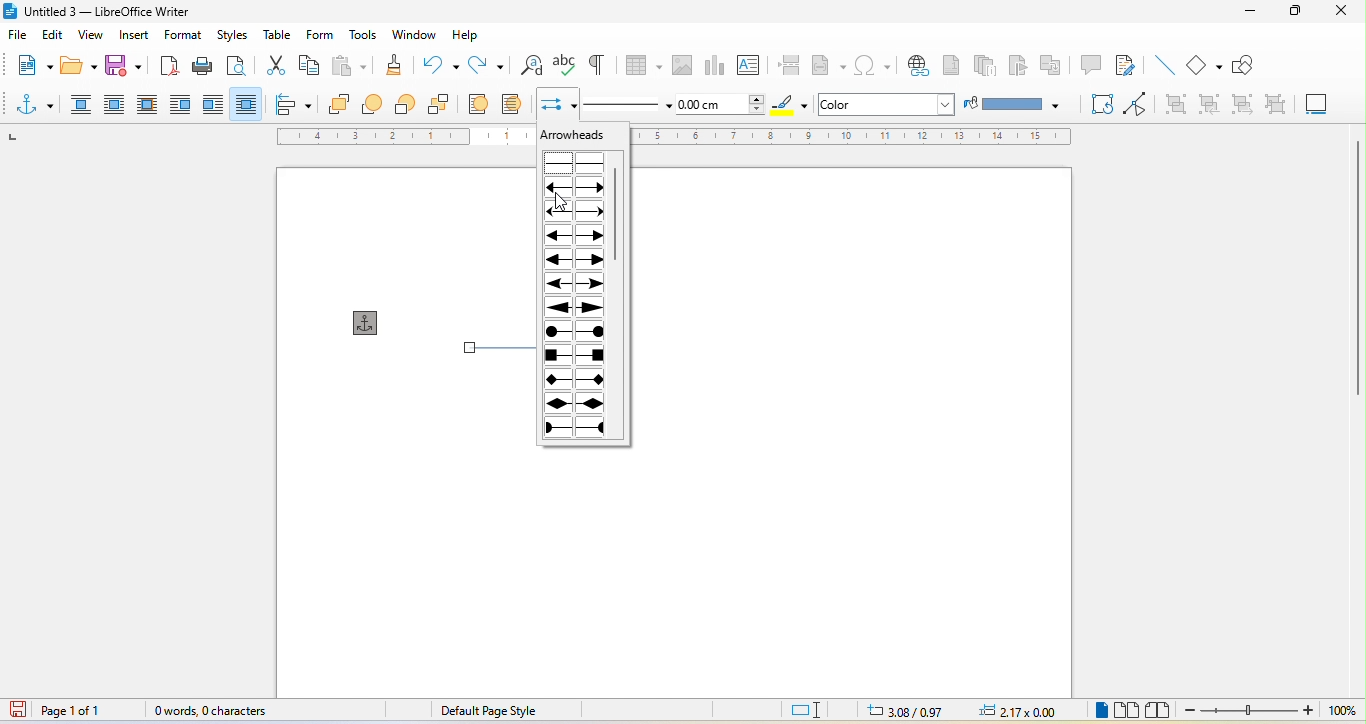 The image size is (1366, 724). What do you see at coordinates (212, 711) in the screenshot?
I see `0 wards , 0 character` at bounding box center [212, 711].